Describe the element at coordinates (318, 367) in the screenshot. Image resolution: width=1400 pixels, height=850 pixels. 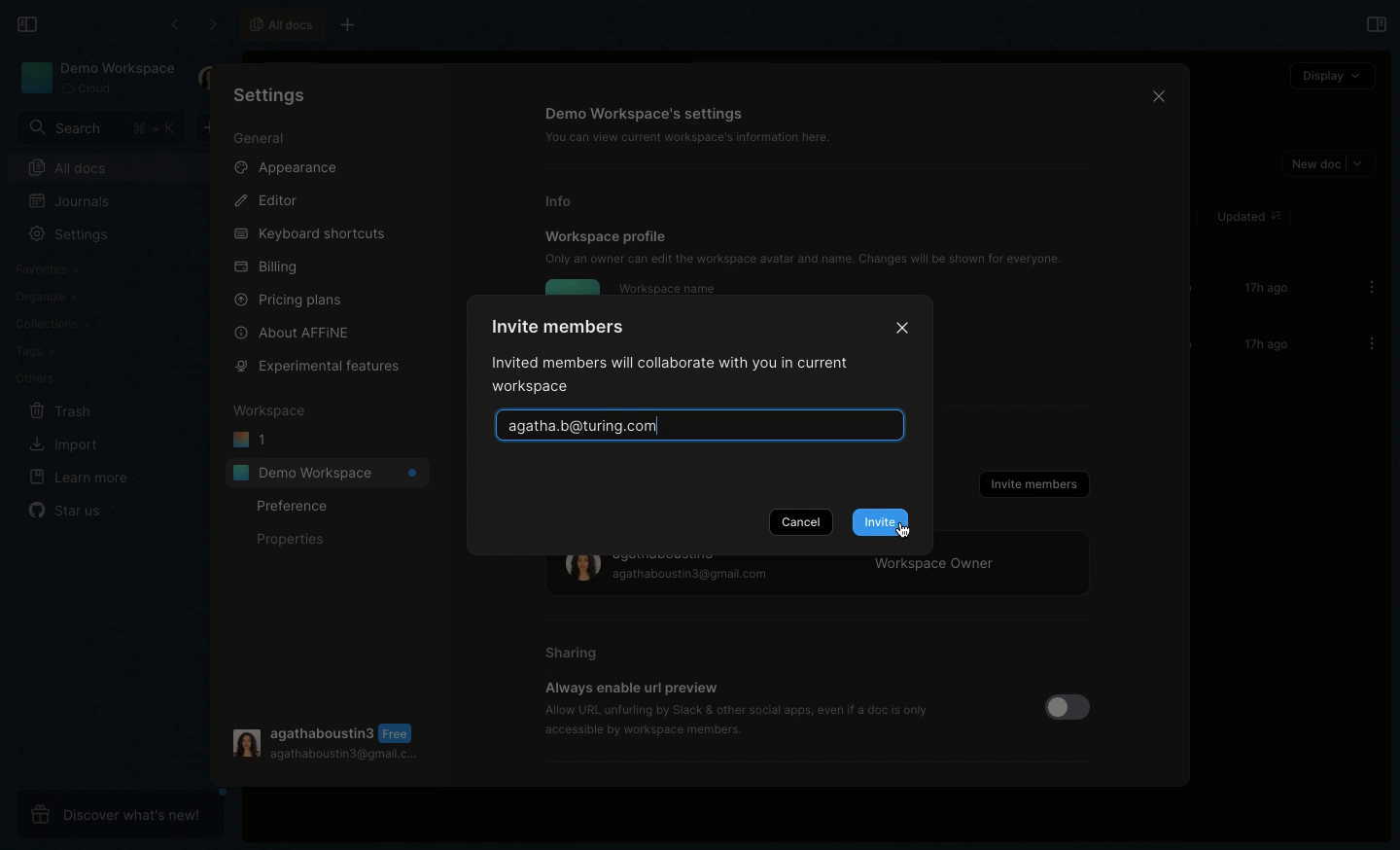
I see `Experimental features` at that location.